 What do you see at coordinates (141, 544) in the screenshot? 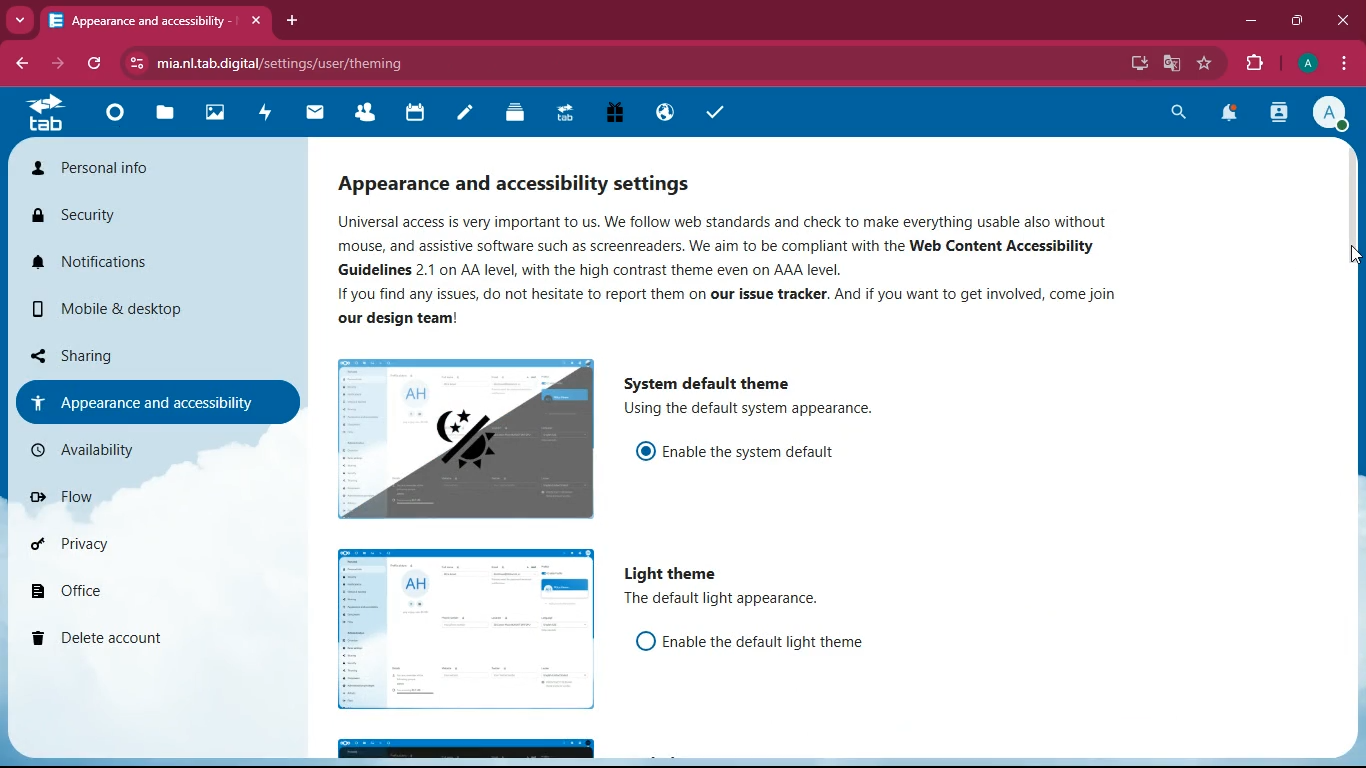
I see `privacy` at bounding box center [141, 544].